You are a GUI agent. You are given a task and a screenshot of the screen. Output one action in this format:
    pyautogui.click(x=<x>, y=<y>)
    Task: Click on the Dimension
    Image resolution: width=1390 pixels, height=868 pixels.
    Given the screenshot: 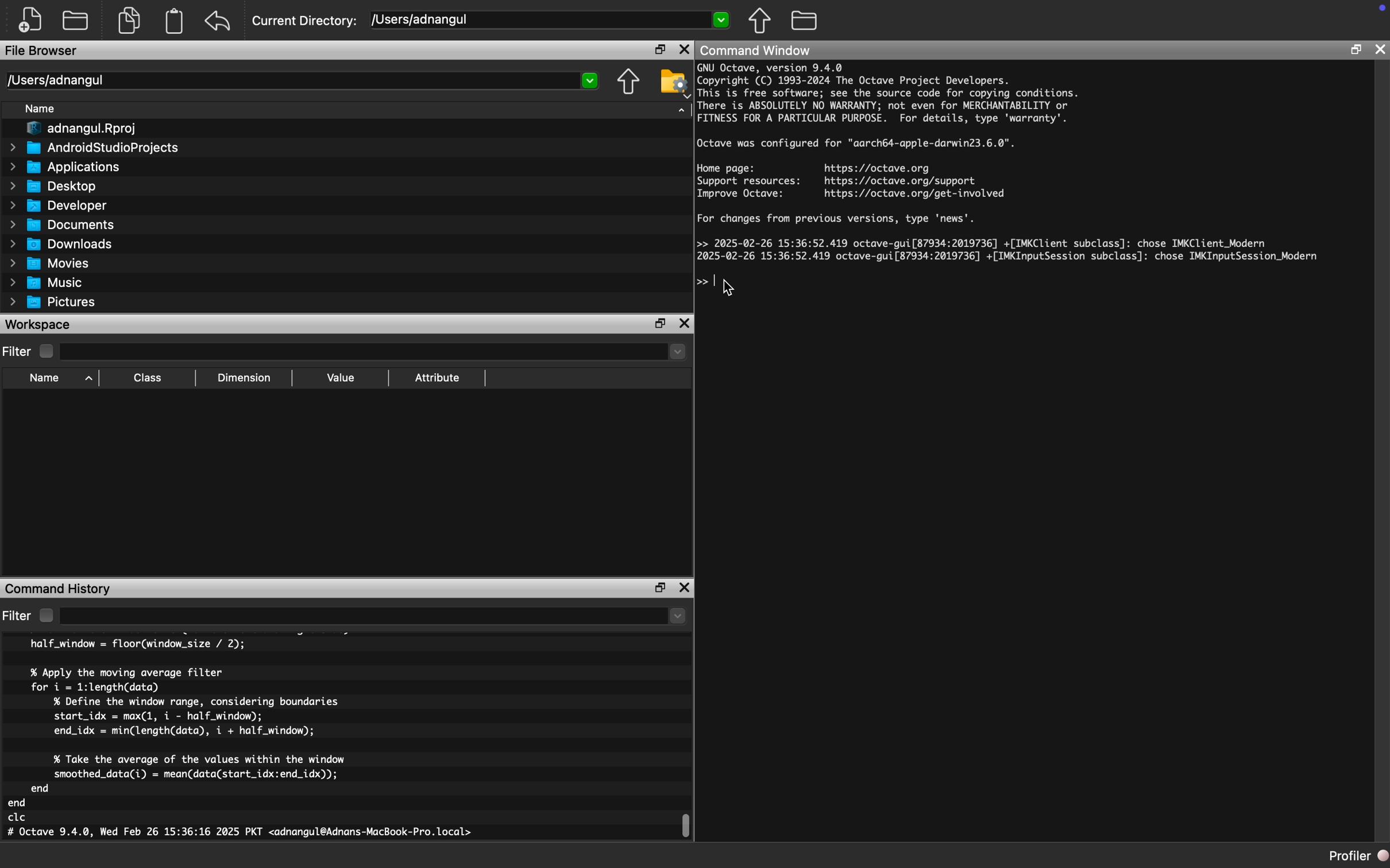 What is the action you would take?
    pyautogui.click(x=245, y=378)
    